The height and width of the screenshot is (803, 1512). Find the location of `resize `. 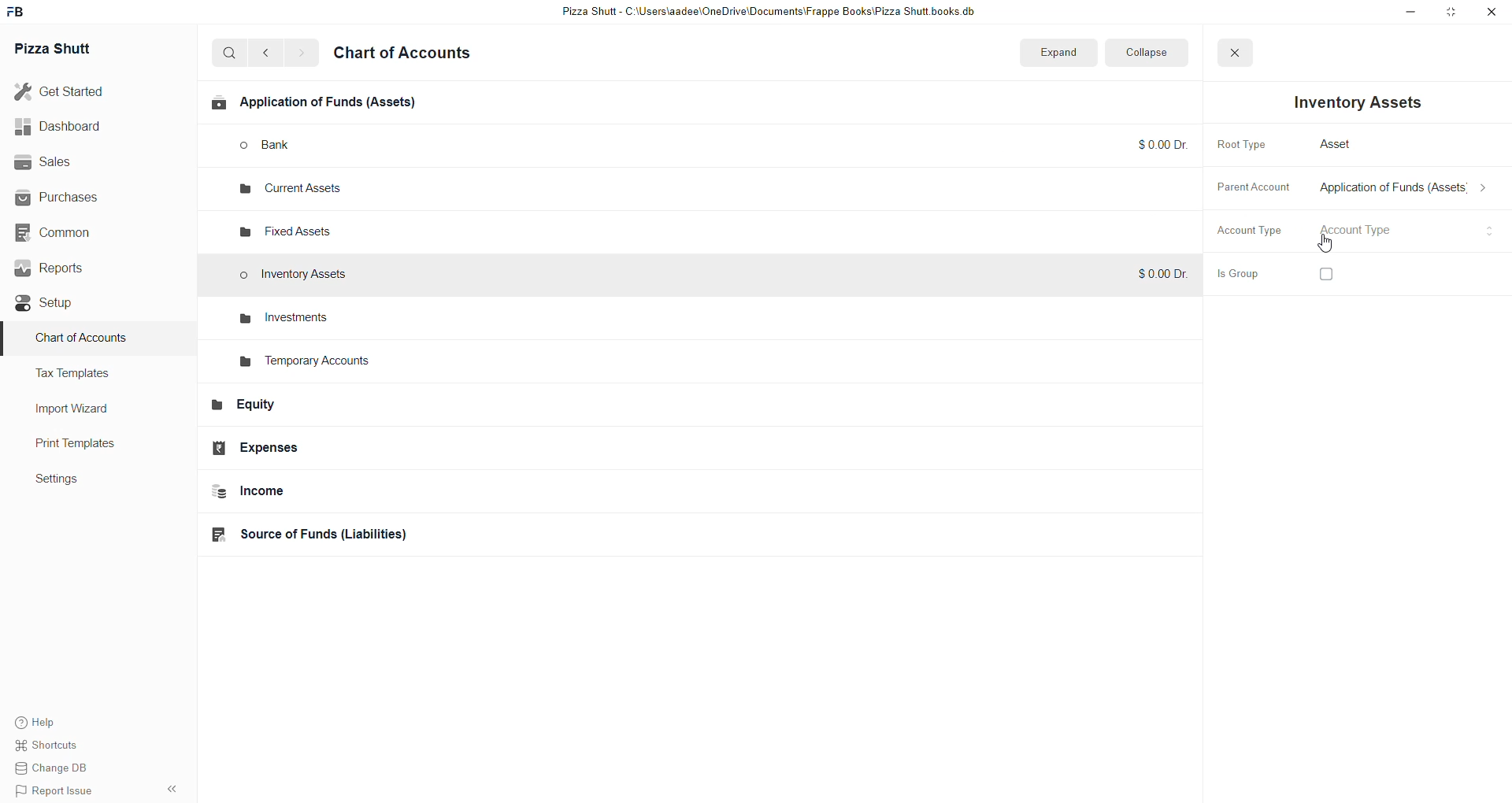

resize  is located at coordinates (1451, 13).